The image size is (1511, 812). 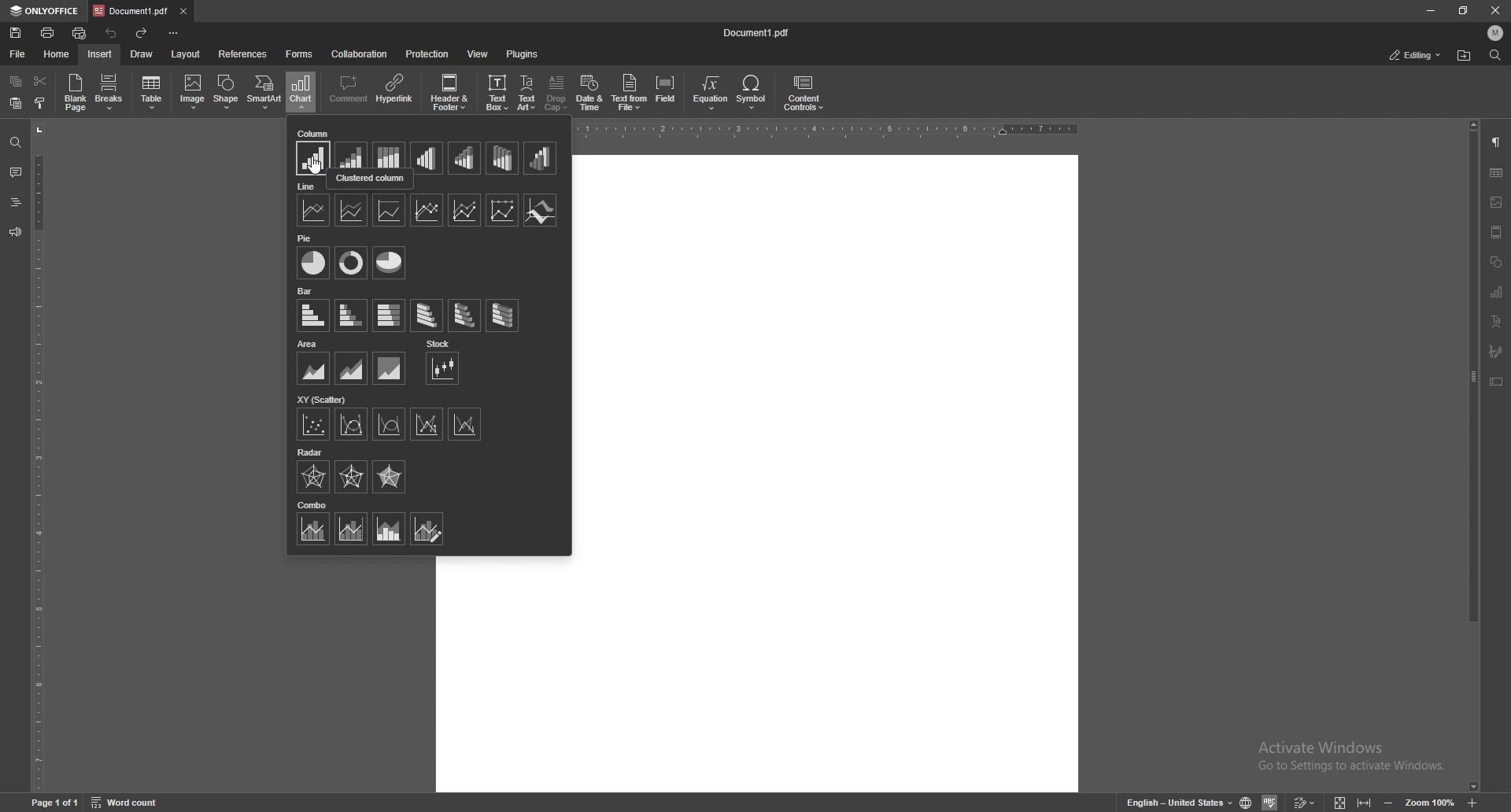 What do you see at coordinates (100, 54) in the screenshot?
I see `insert` at bounding box center [100, 54].